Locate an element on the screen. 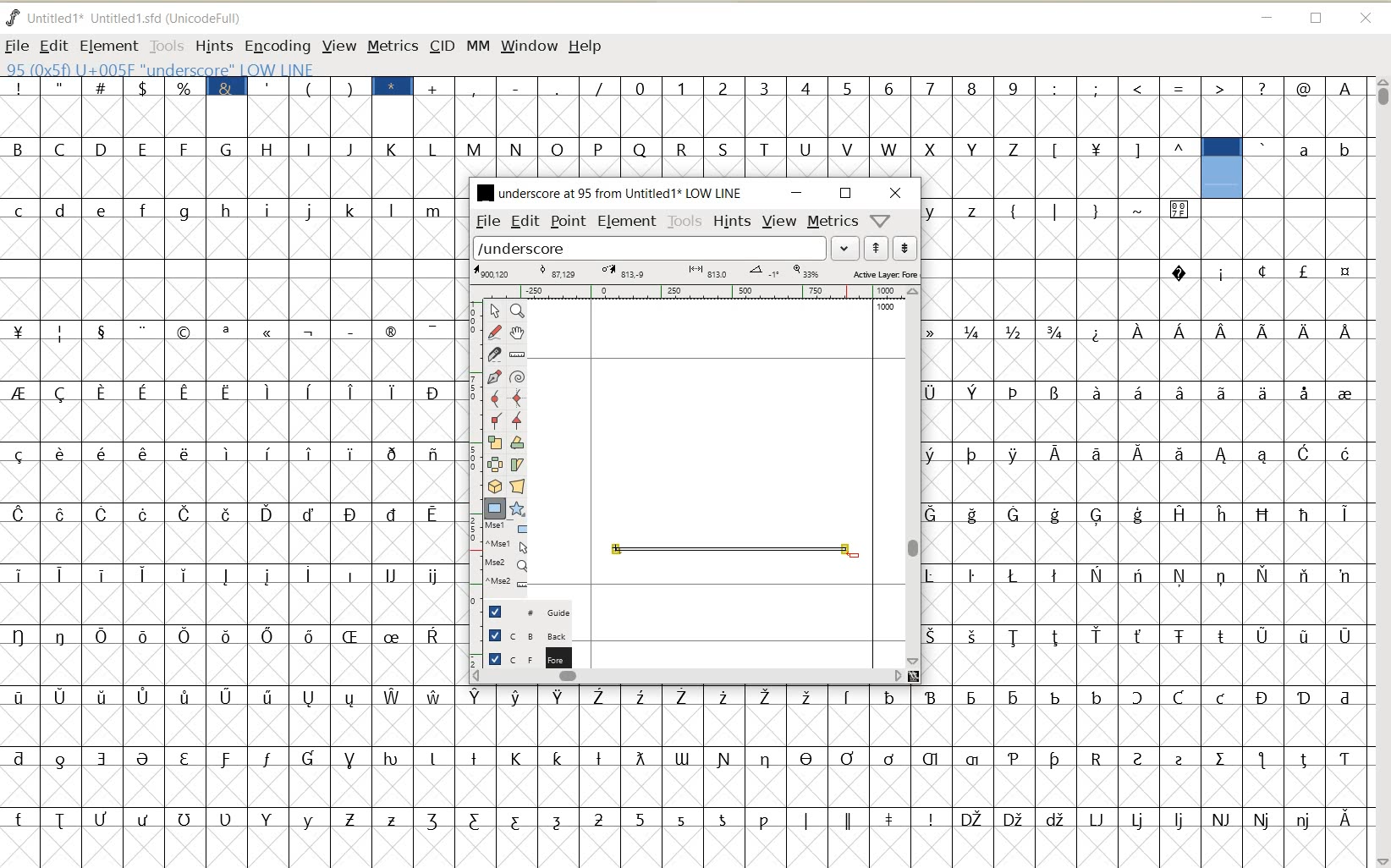 This screenshot has height=868, width=1391. SCROLLBAR is located at coordinates (1381, 472).